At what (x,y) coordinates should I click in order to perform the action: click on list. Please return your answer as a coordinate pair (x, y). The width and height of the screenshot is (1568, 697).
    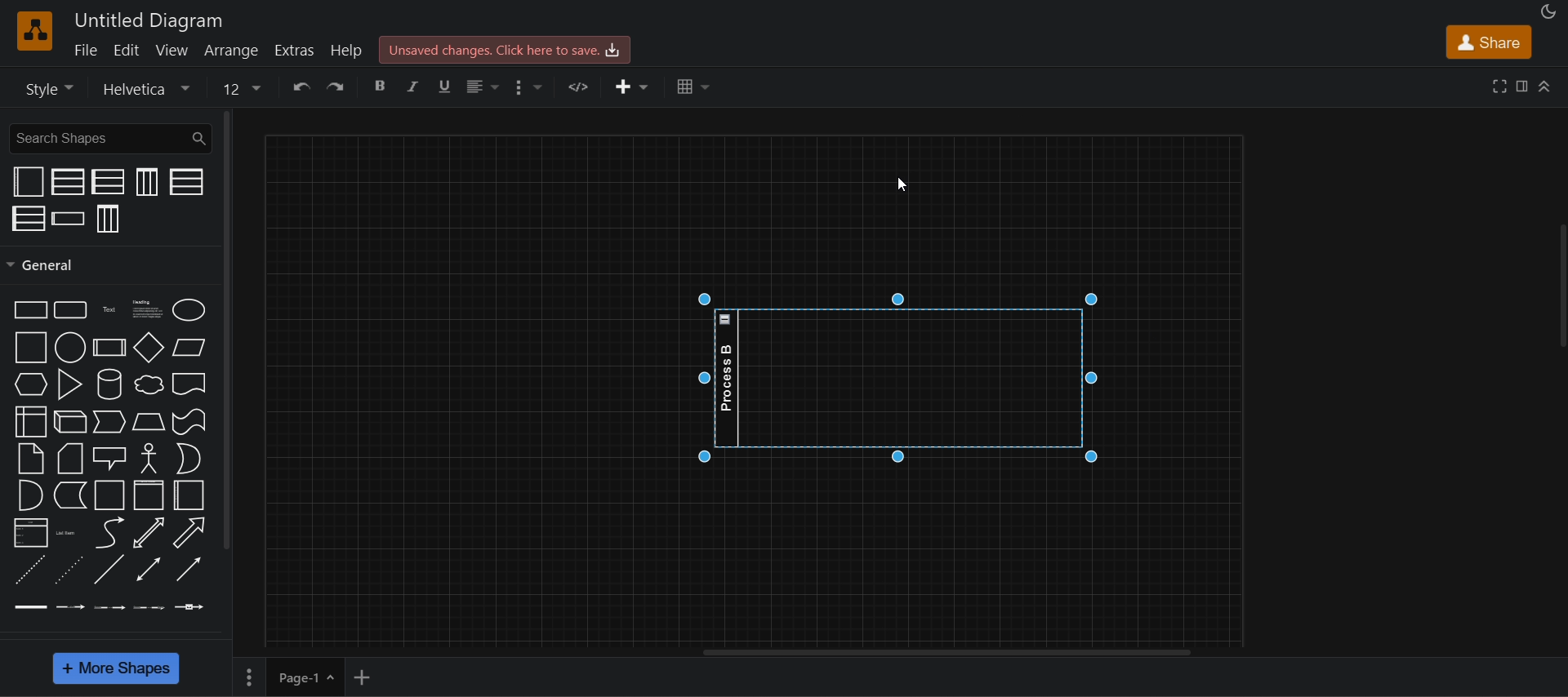
    Looking at the image, I should click on (30, 534).